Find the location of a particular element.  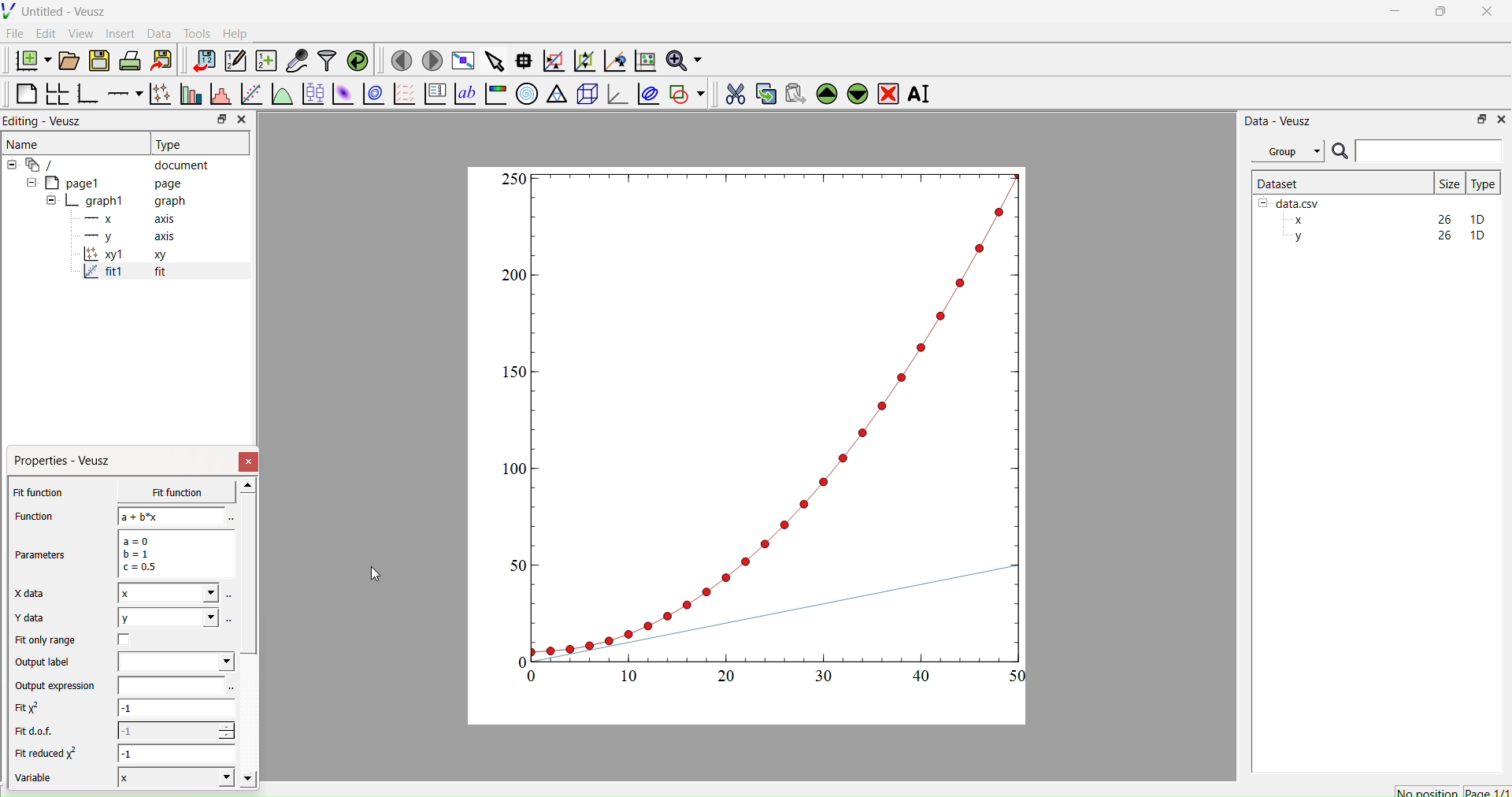

Scroll  is located at coordinates (249, 634).